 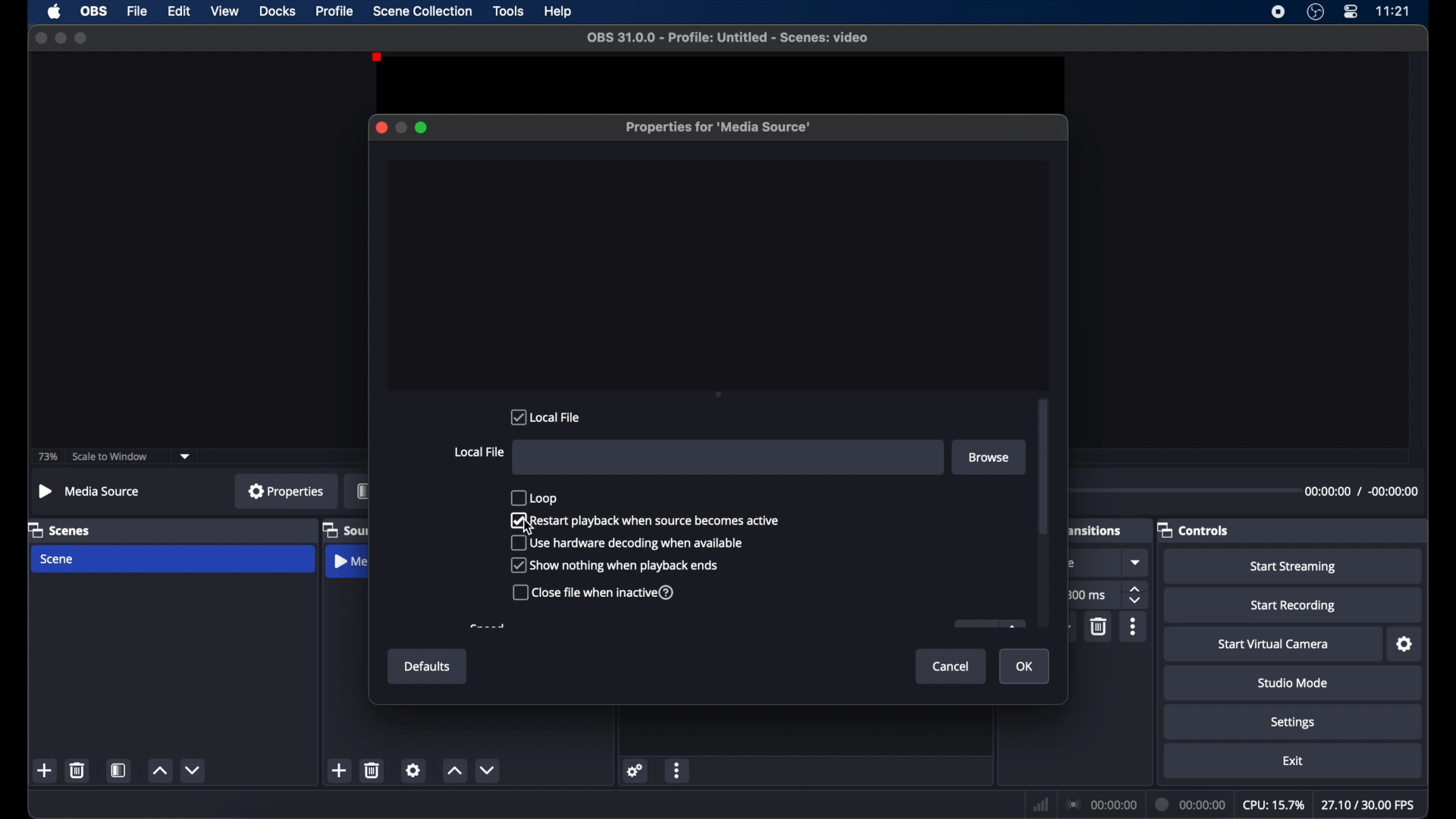 I want to click on scenes, so click(x=60, y=529).